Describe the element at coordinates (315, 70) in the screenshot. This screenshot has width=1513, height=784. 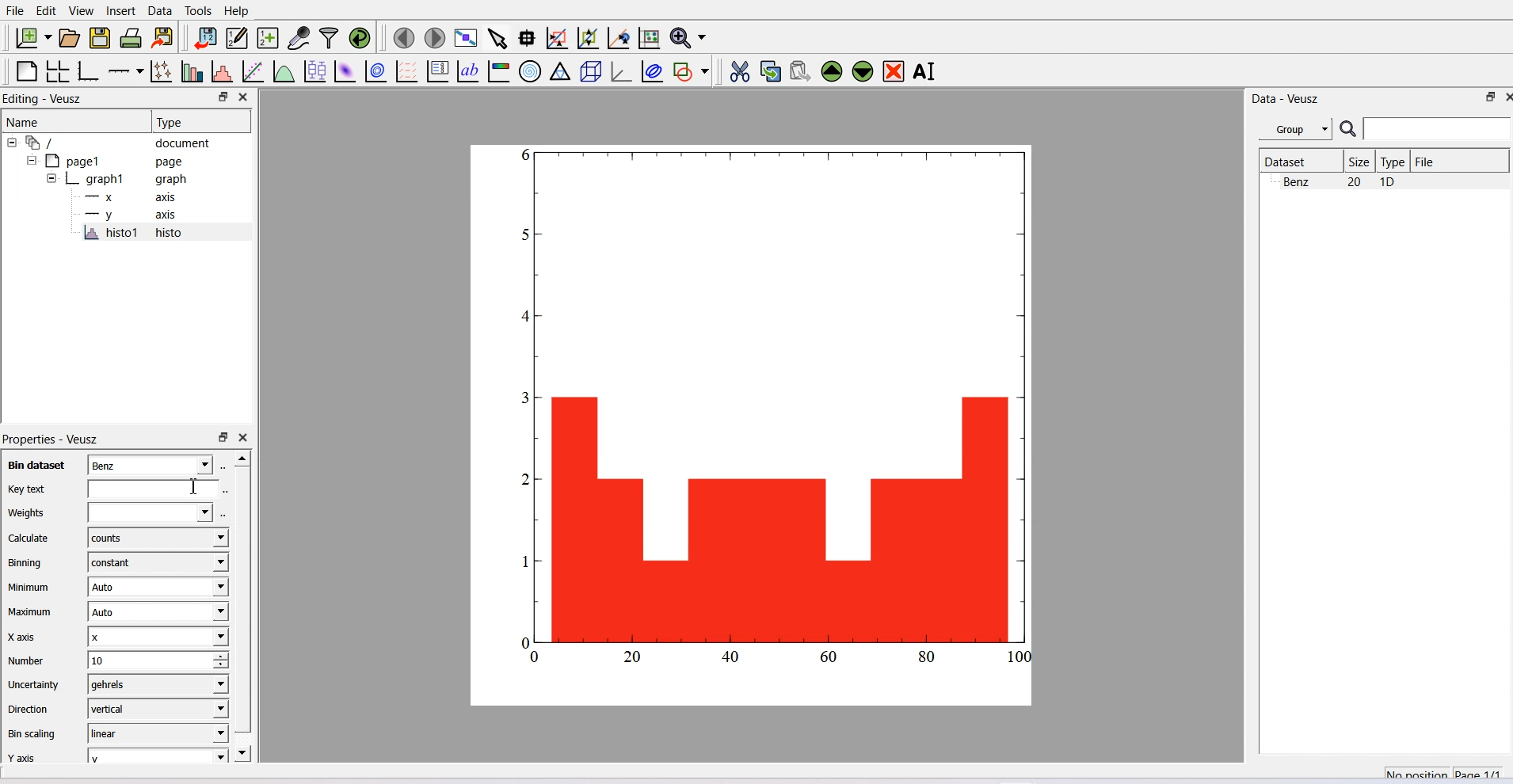
I see `Plot box plots` at that location.